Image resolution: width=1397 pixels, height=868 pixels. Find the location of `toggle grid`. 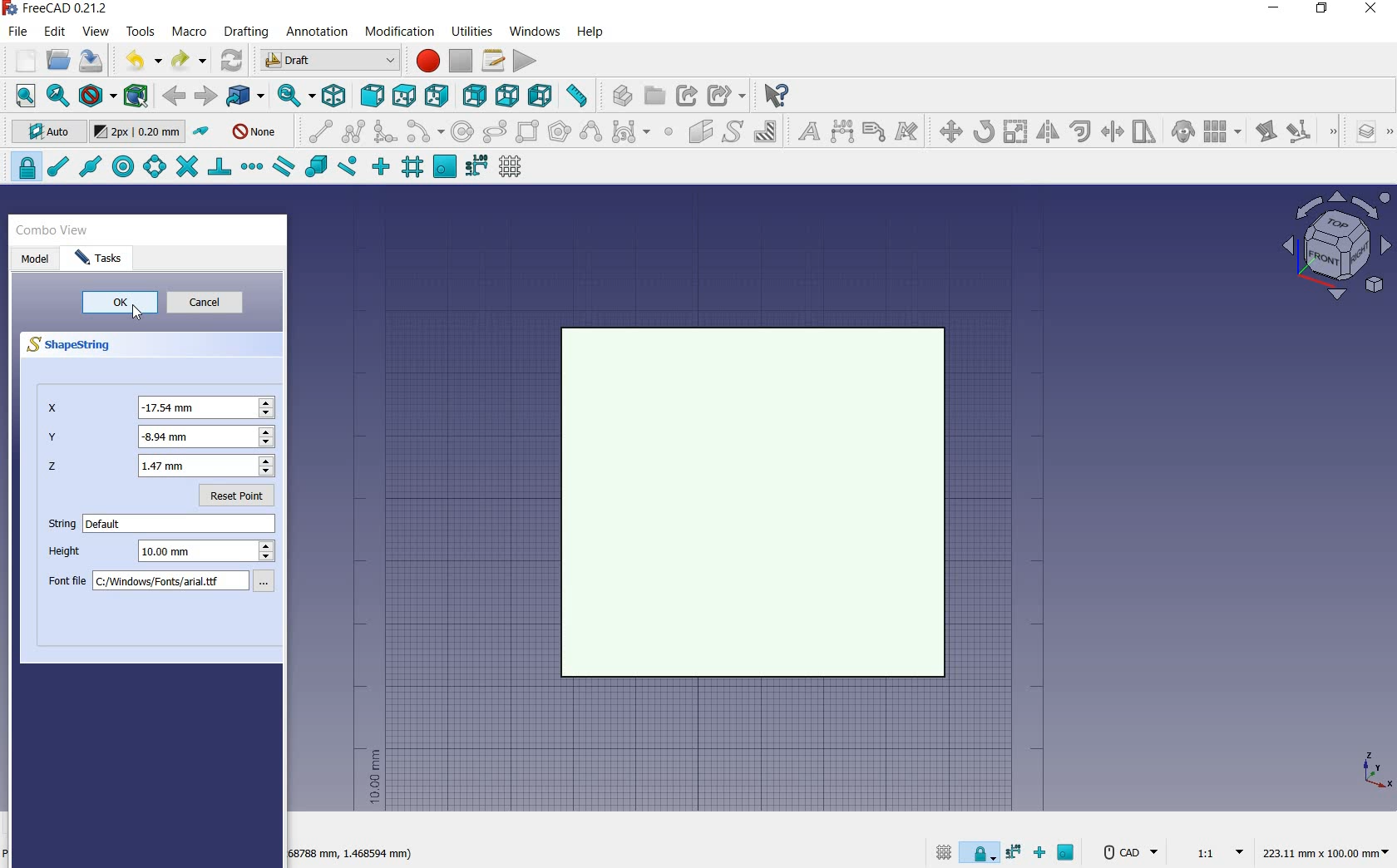

toggle grid is located at coordinates (941, 851).